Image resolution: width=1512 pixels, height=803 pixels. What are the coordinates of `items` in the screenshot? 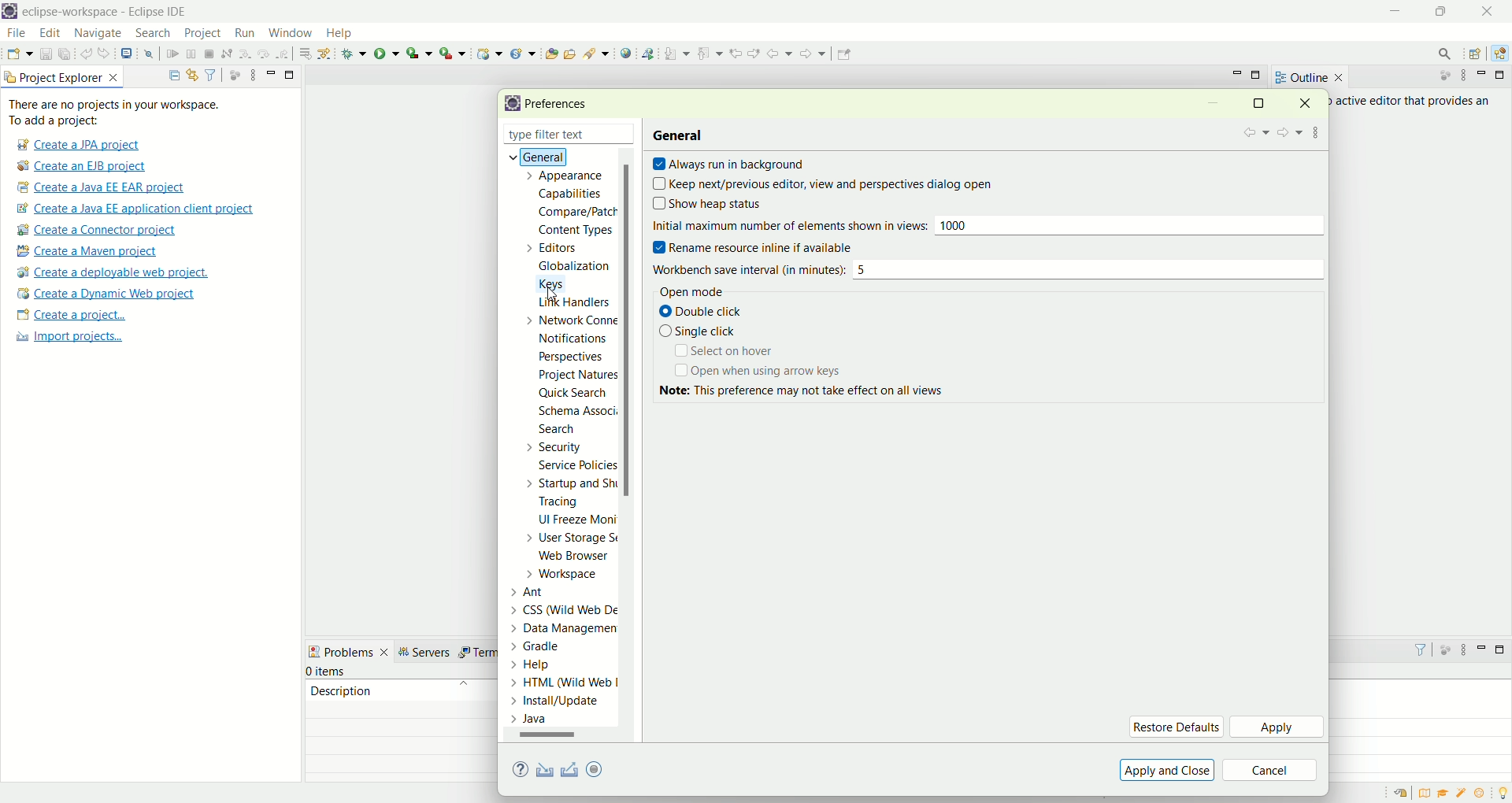 It's located at (328, 672).